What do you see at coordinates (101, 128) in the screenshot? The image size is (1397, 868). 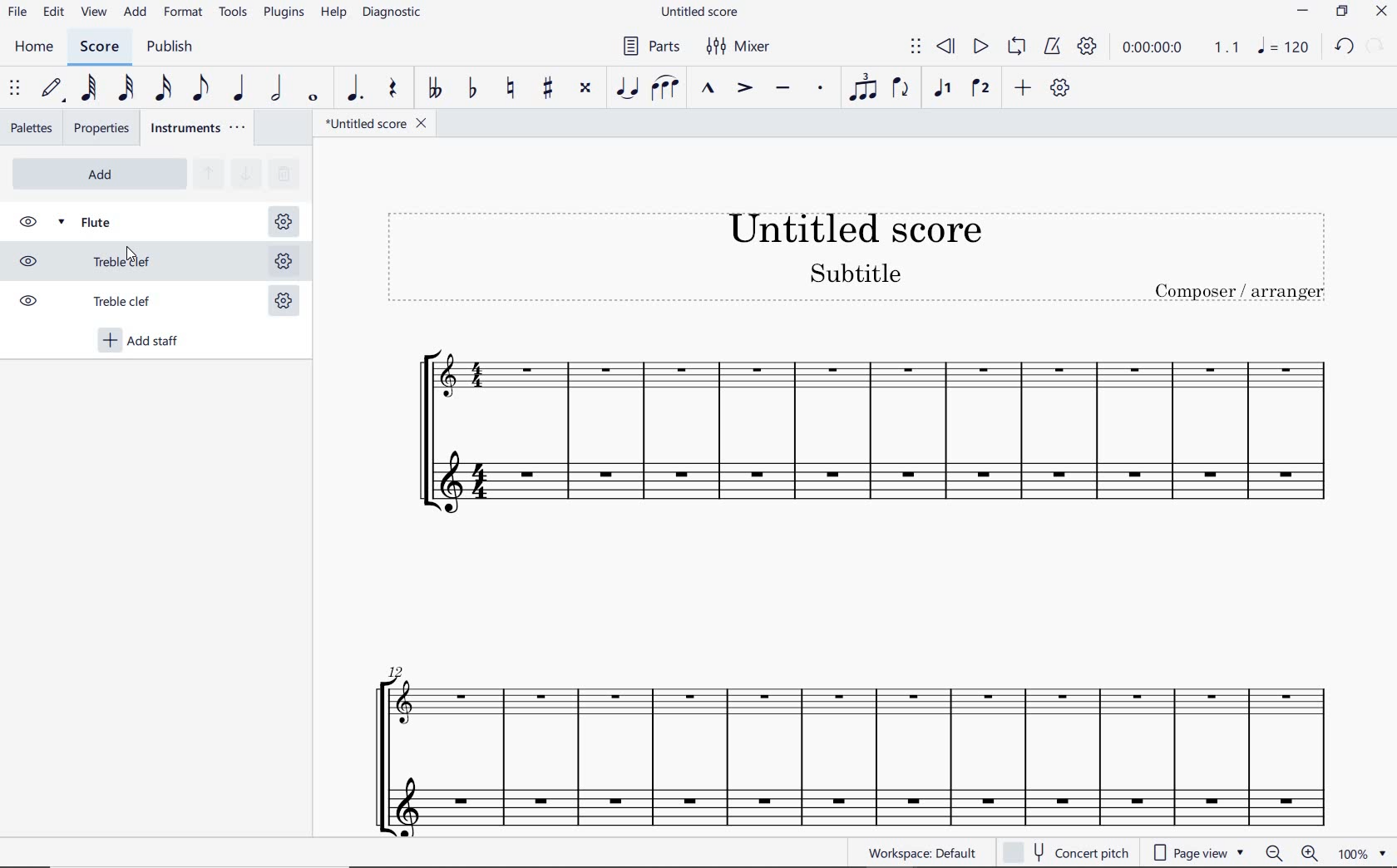 I see `properties` at bounding box center [101, 128].